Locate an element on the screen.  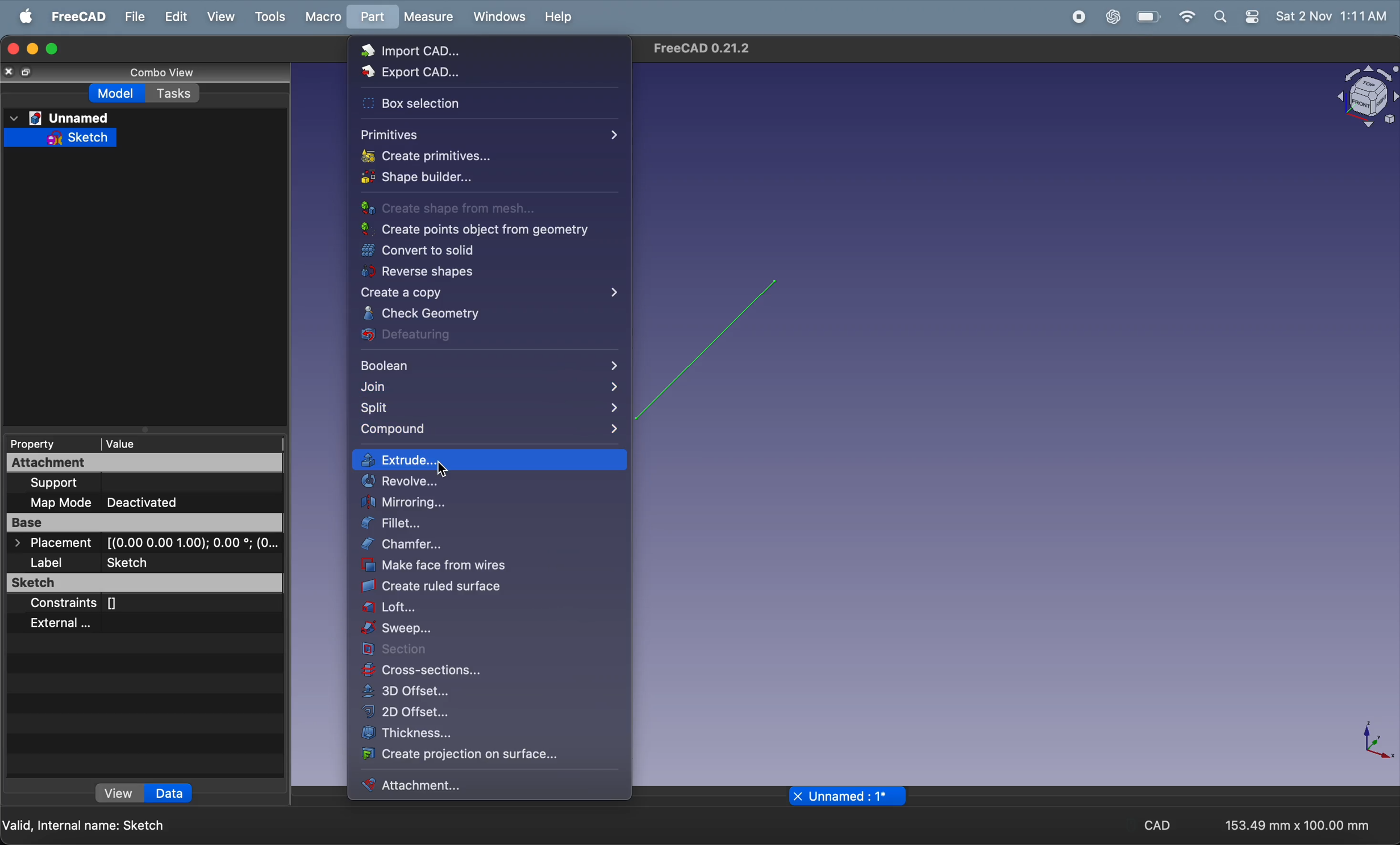
153.49 mm x 100.00 mm is located at coordinates (1298, 826).